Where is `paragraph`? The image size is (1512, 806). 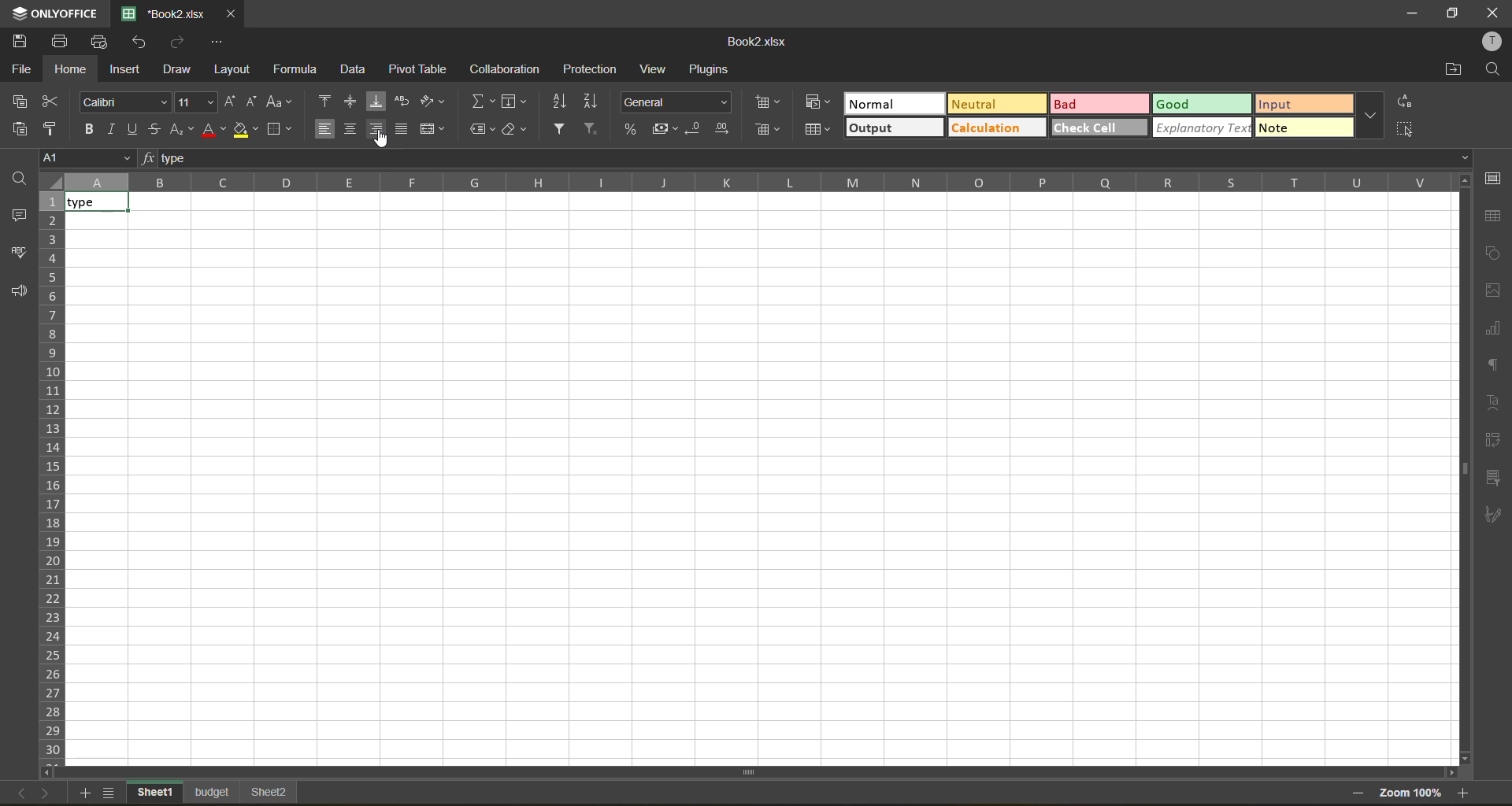 paragraph is located at coordinates (1496, 367).